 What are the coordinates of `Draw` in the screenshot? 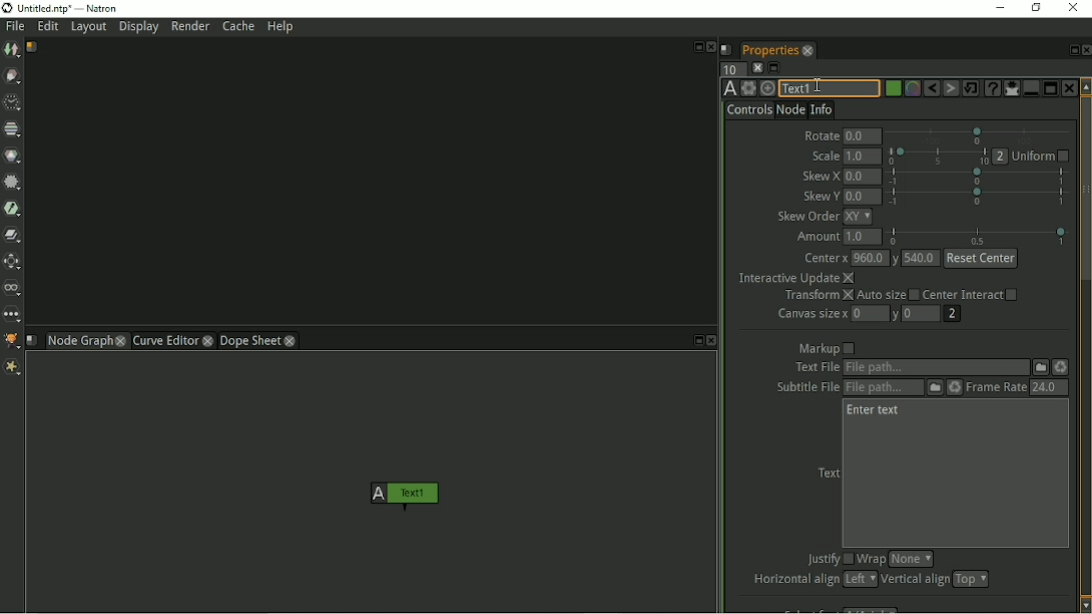 It's located at (13, 77).